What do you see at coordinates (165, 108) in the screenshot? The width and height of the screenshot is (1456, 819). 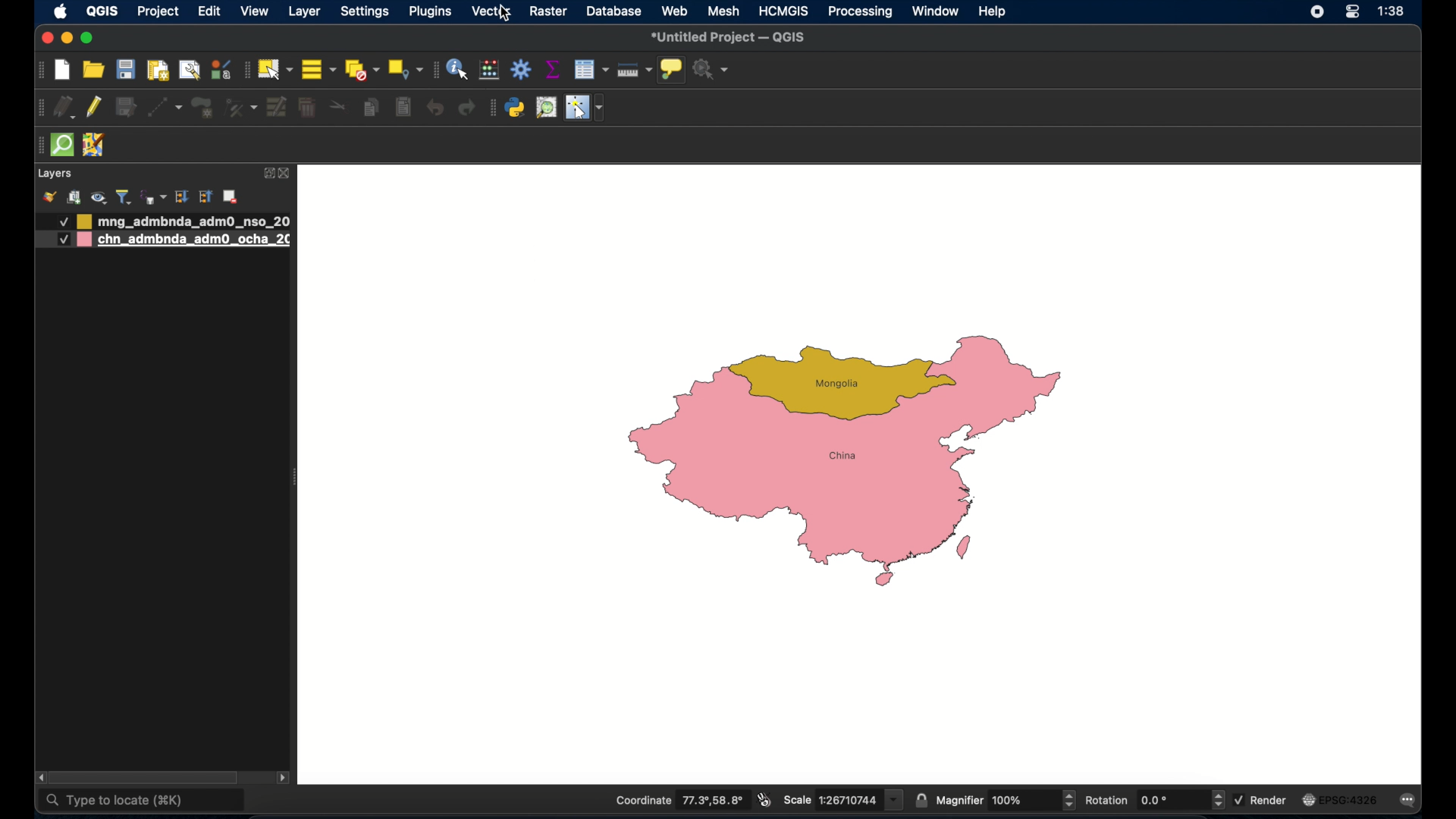 I see `digitize with segment` at bounding box center [165, 108].